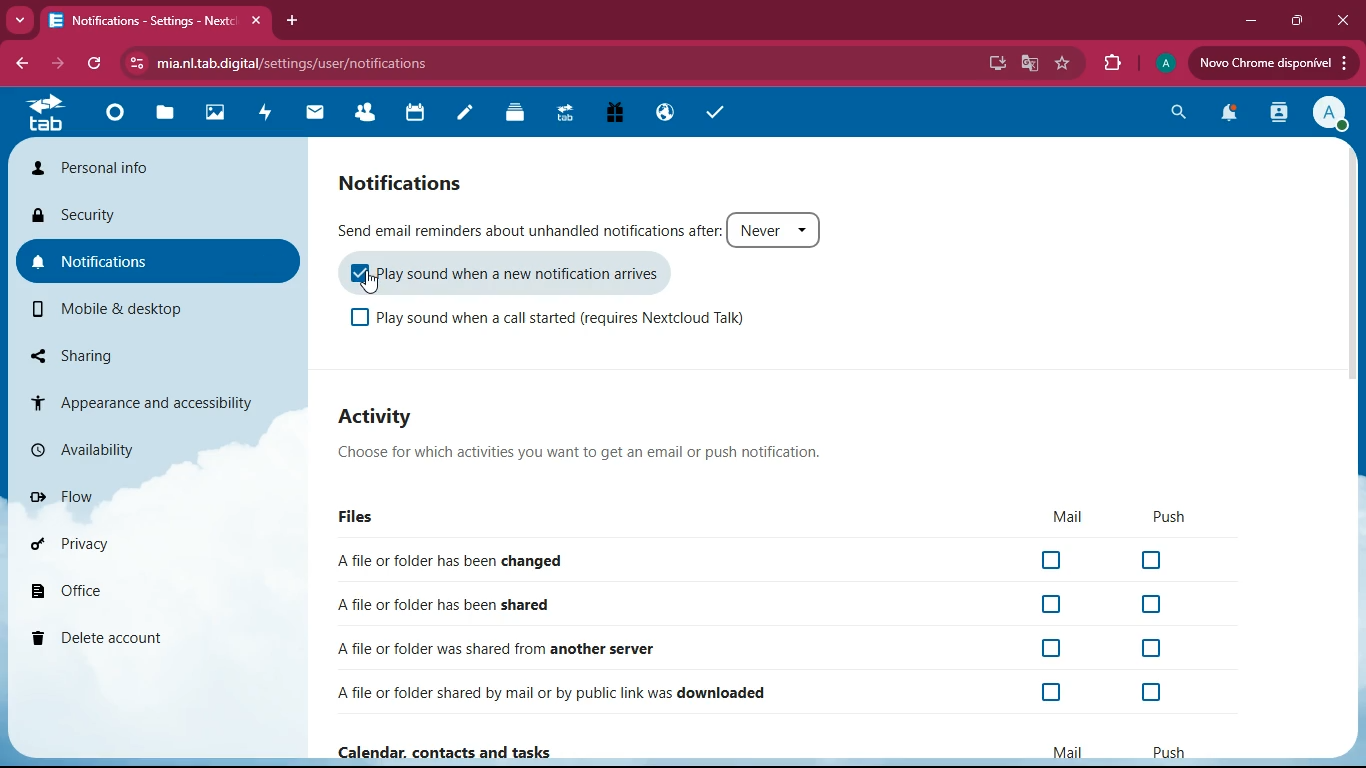 This screenshot has height=768, width=1366. Describe the element at coordinates (591, 454) in the screenshot. I see `description` at that location.